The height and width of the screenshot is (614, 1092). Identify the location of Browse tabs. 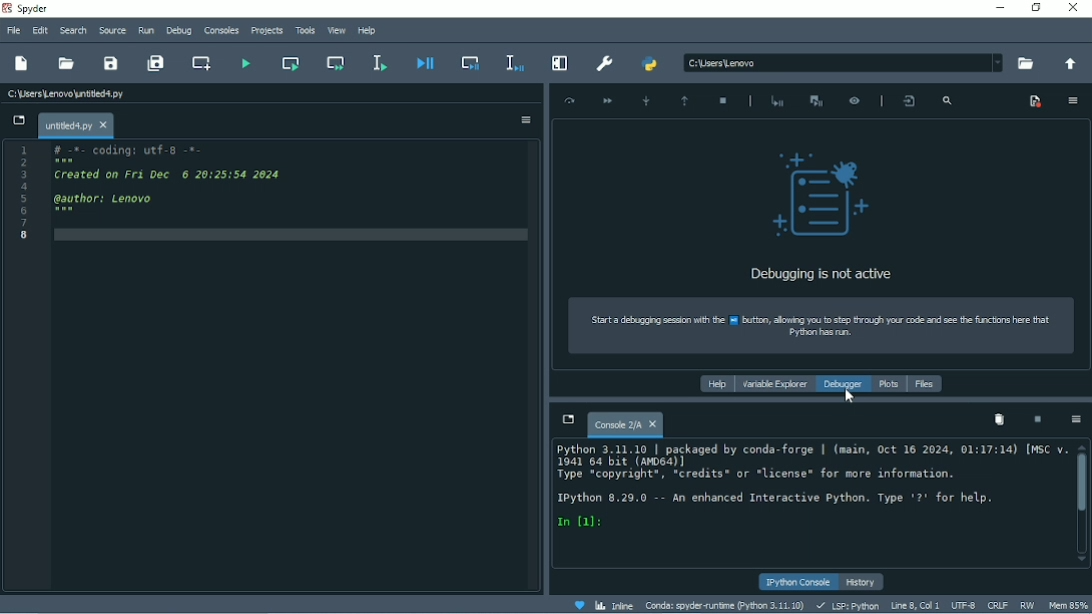
(17, 120).